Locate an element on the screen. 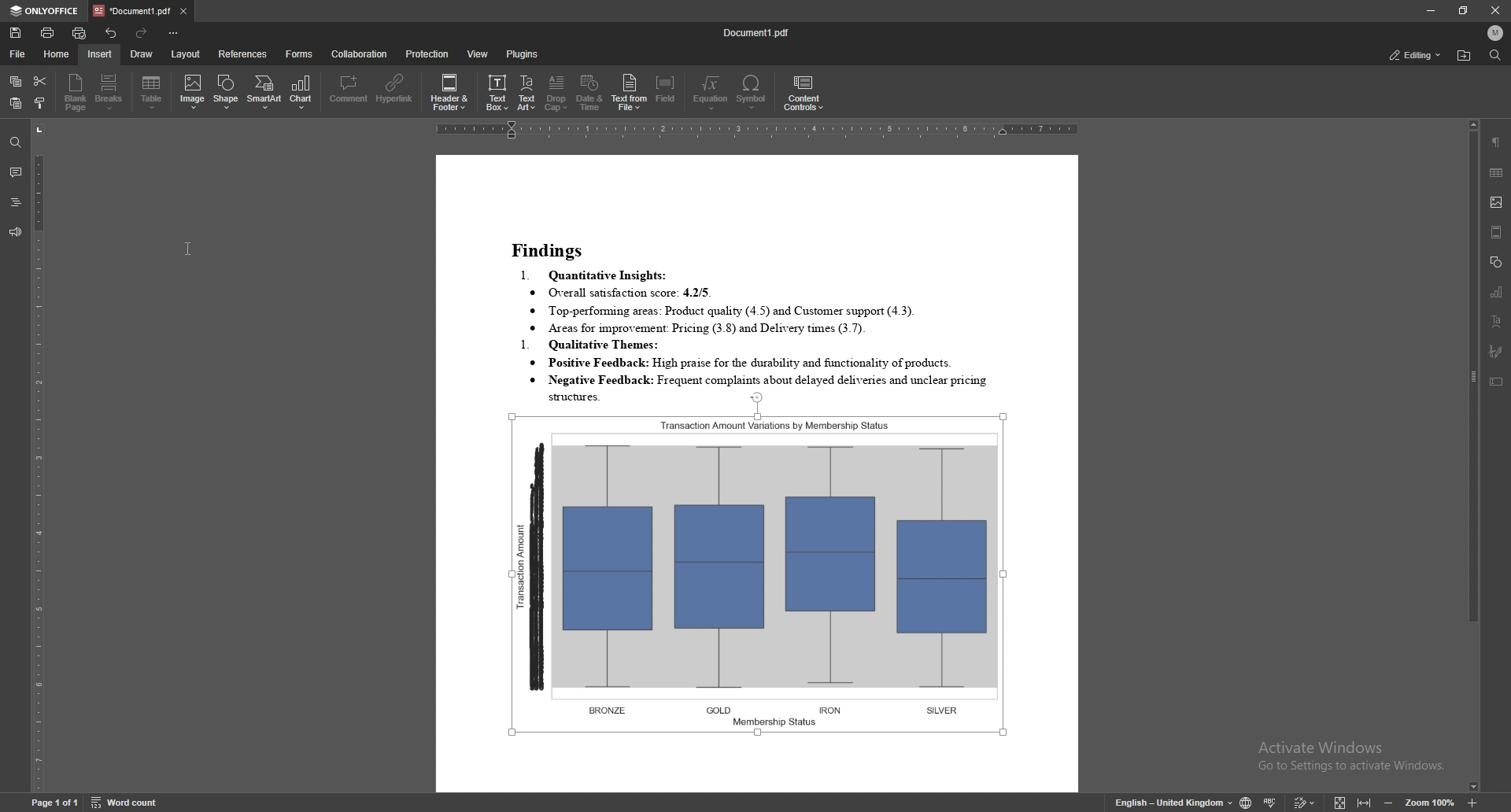 The width and height of the screenshot is (1511, 812). change doc language is located at coordinates (1245, 803).